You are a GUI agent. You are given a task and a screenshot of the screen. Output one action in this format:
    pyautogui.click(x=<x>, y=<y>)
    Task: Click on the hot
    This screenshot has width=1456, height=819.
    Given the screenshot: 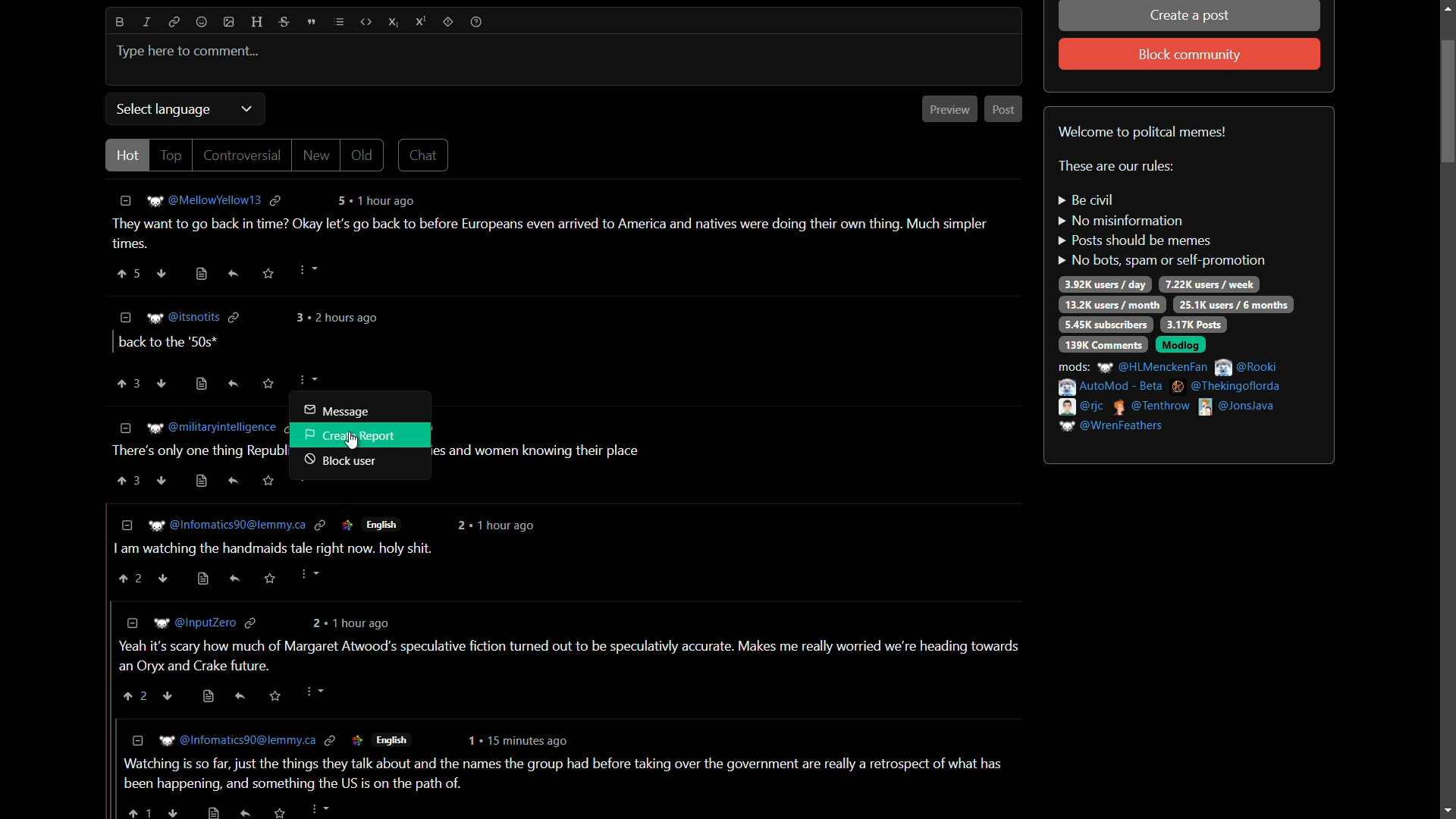 What is the action you would take?
    pyautogui.click(x=128, y=155)
    